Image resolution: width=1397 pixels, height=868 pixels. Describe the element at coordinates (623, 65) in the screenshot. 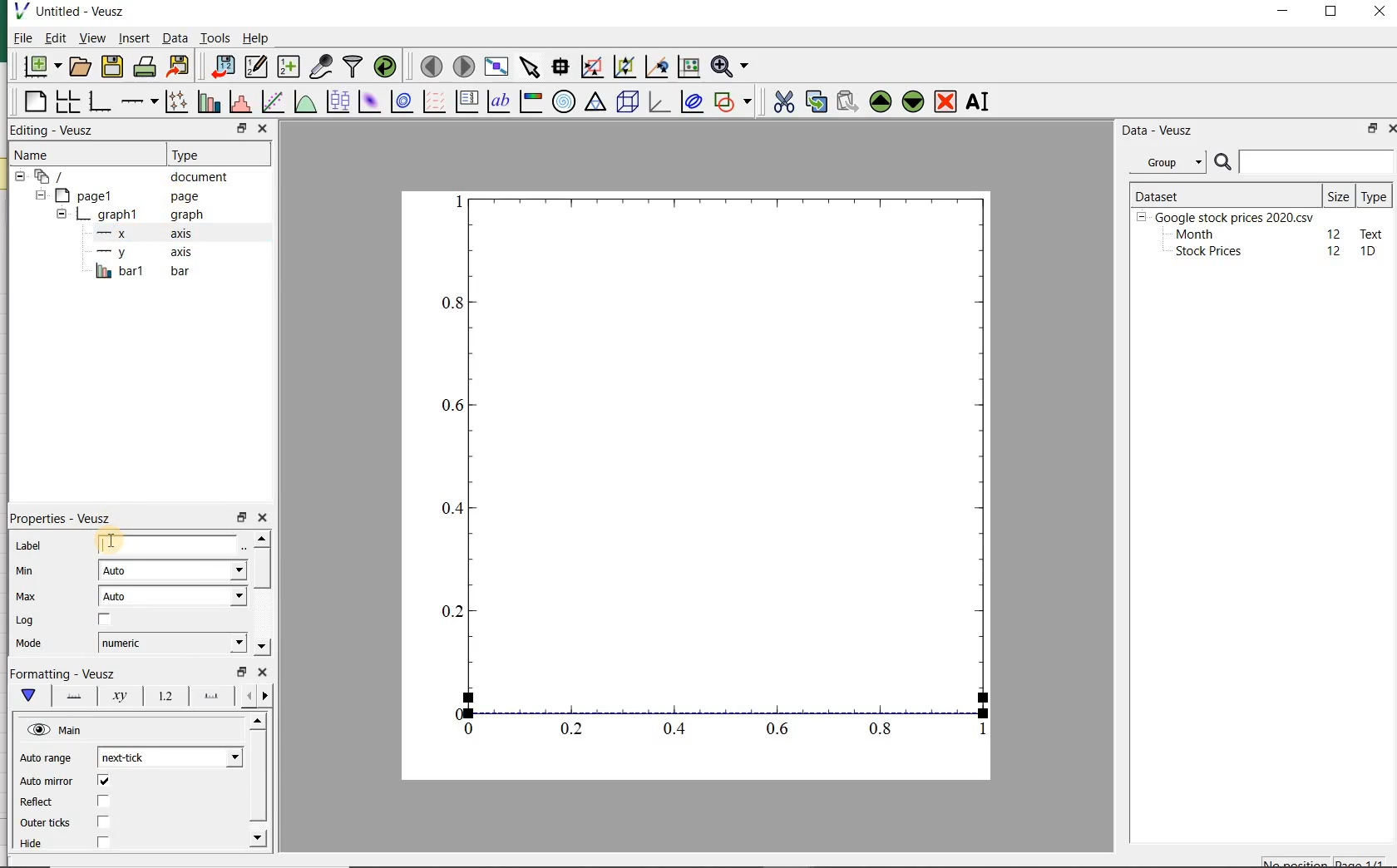

I see `click to zoom out of graph axes` at that location.